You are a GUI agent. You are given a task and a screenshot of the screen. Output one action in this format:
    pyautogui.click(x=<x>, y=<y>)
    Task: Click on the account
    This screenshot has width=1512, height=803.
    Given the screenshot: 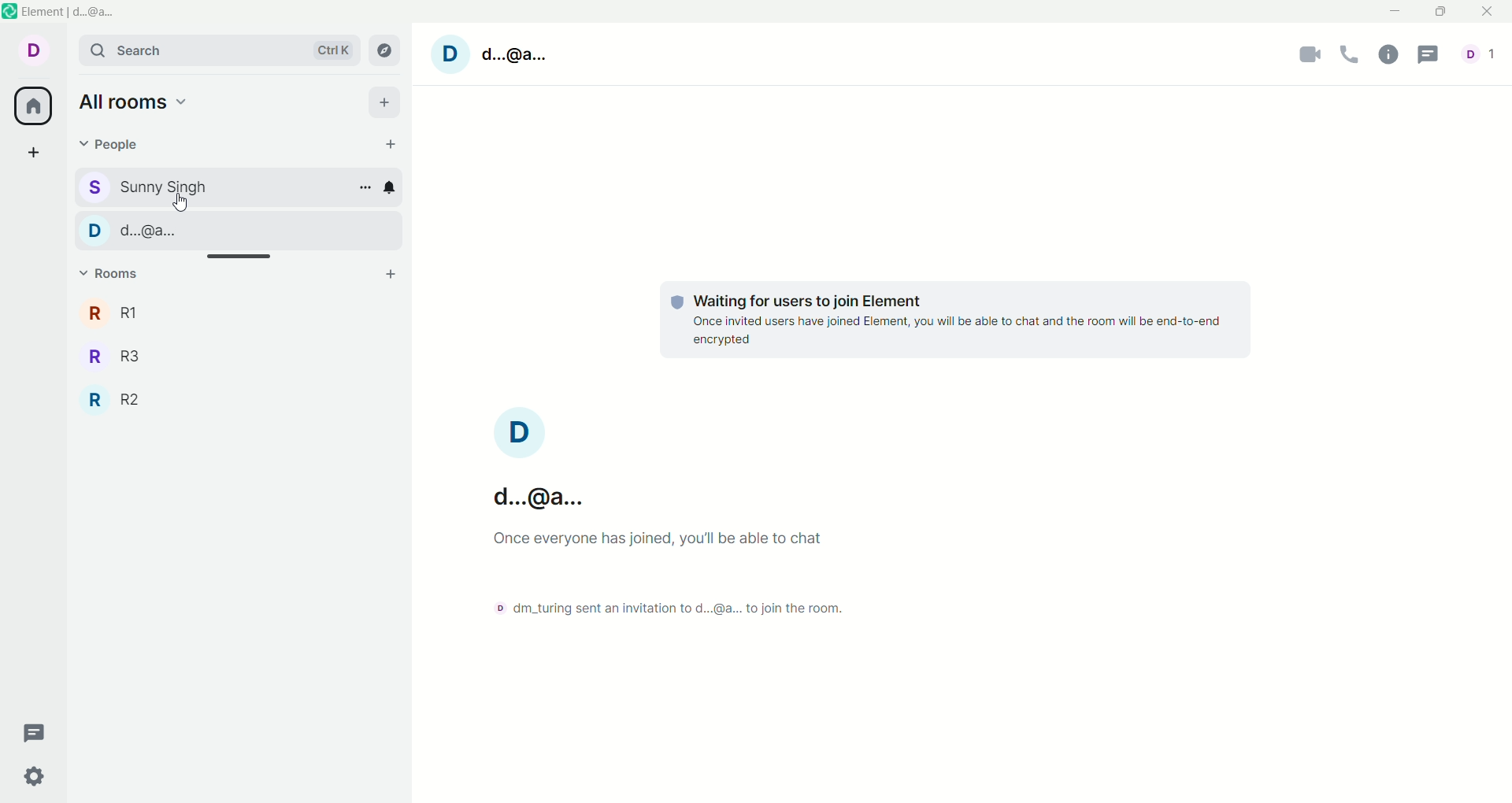 What is the action you would take?
    pyautogui.click(x=518, y=433)
    